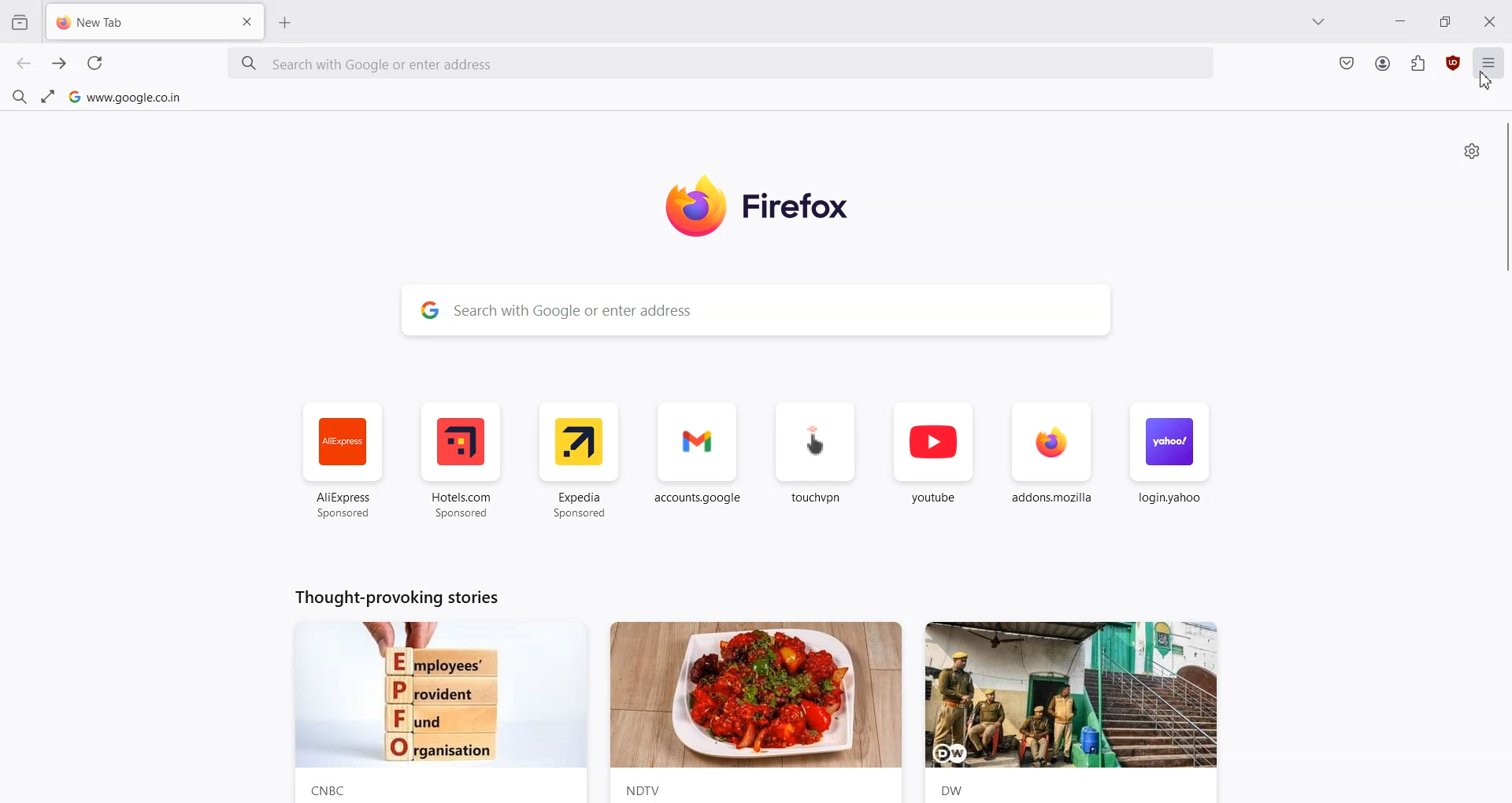 Image resolution: width=1512 pixels, height=803 pixels. I want to click on Extensions, so click(1418, 63).